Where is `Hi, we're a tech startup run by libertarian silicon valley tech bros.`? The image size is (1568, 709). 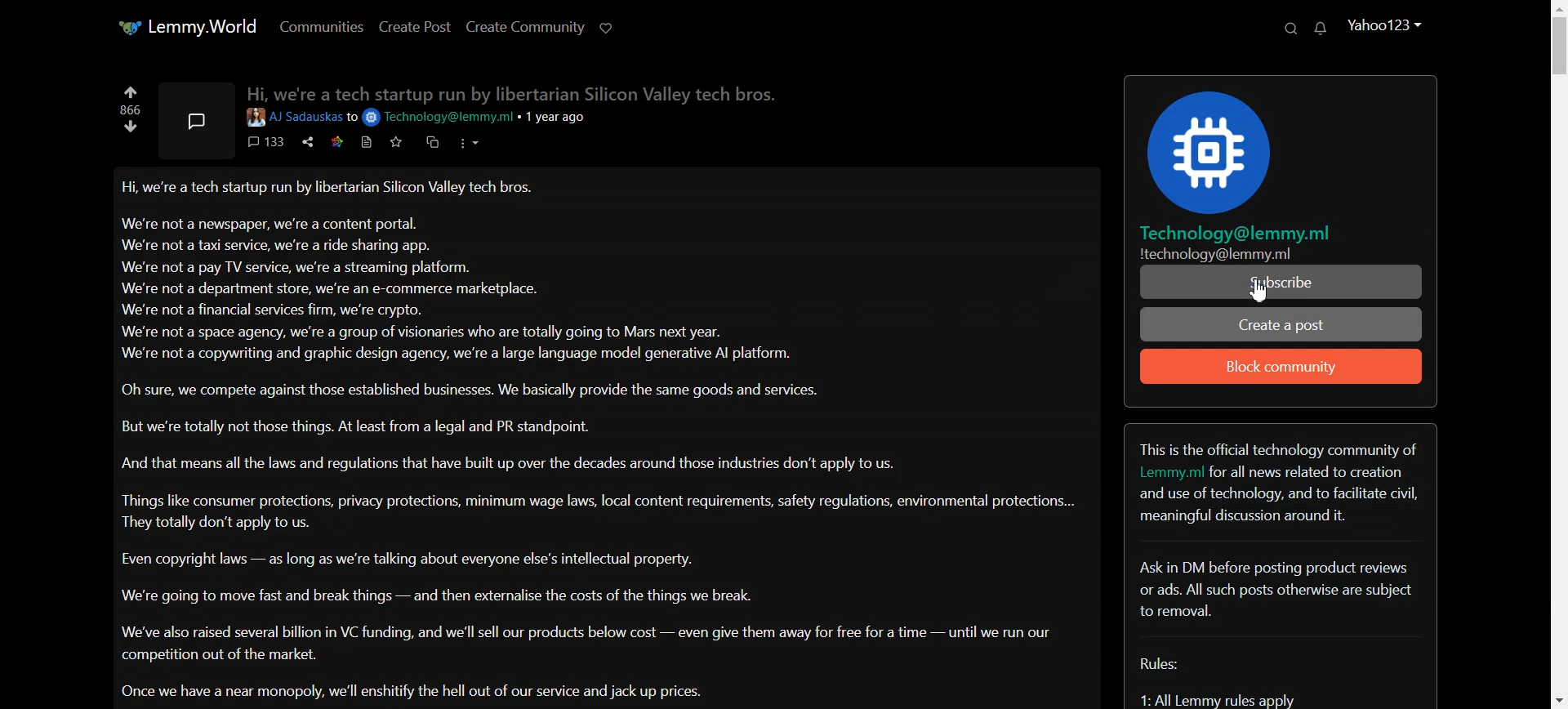
Hi, we're a tech startup run by libertarian silicon valley tech bros. is located at coordinates (510, 91).